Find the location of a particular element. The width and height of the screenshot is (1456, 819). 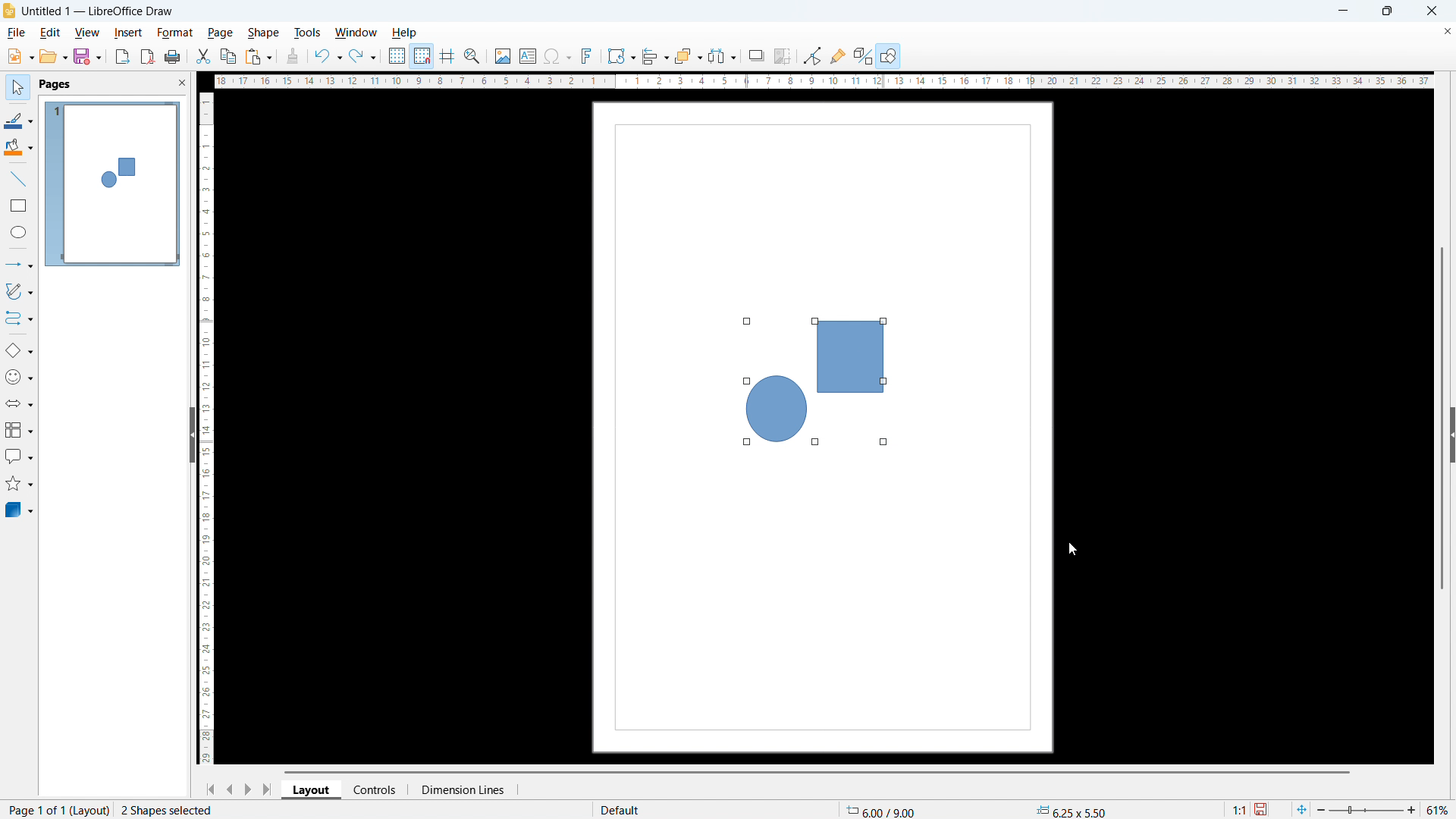

2 shapes selected is located at coordinates (170, 809).